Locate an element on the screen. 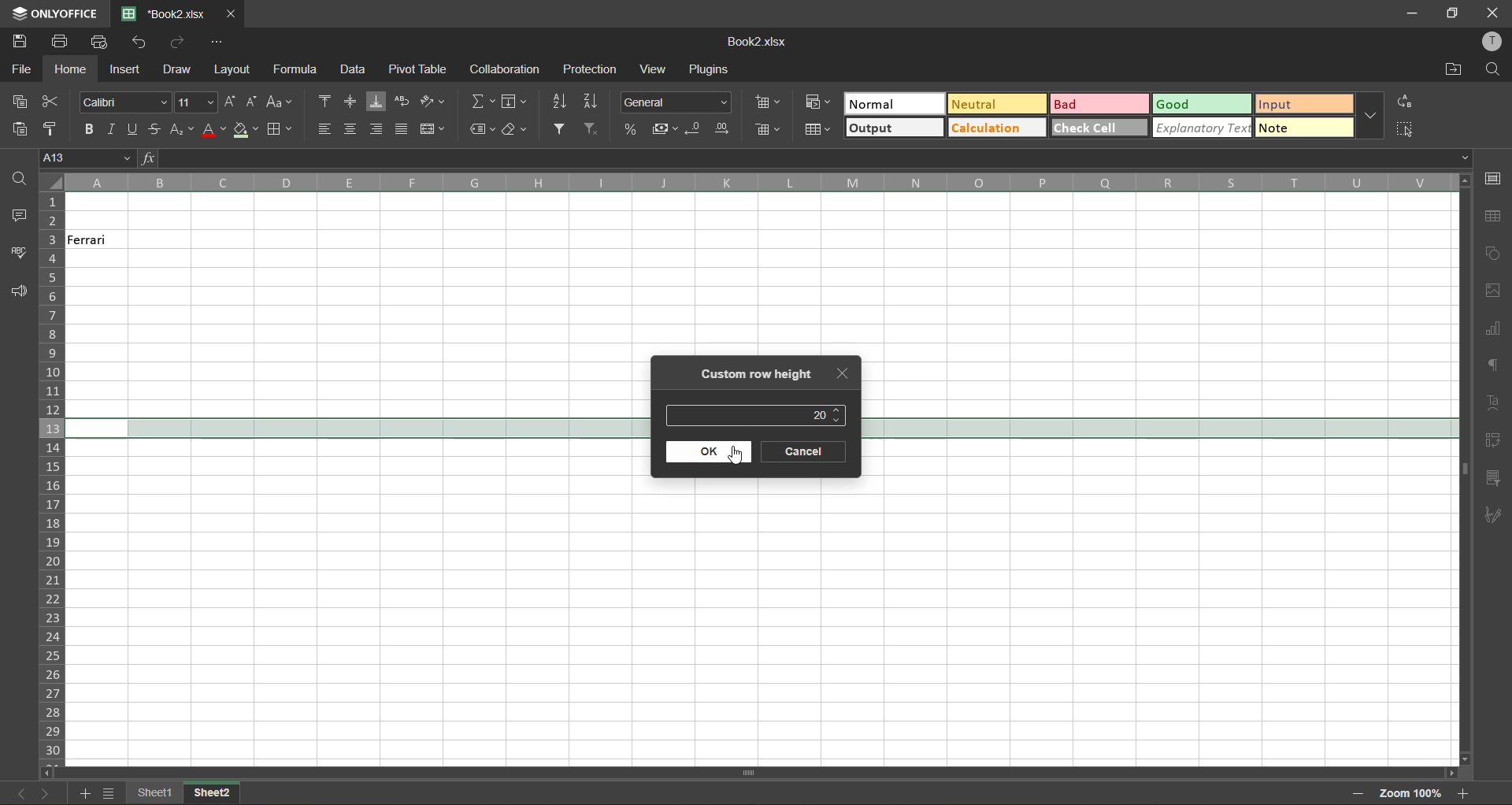 Image resolution: width=1512 pixels, height=805 pixels. view is located at coordinates (652, 68).